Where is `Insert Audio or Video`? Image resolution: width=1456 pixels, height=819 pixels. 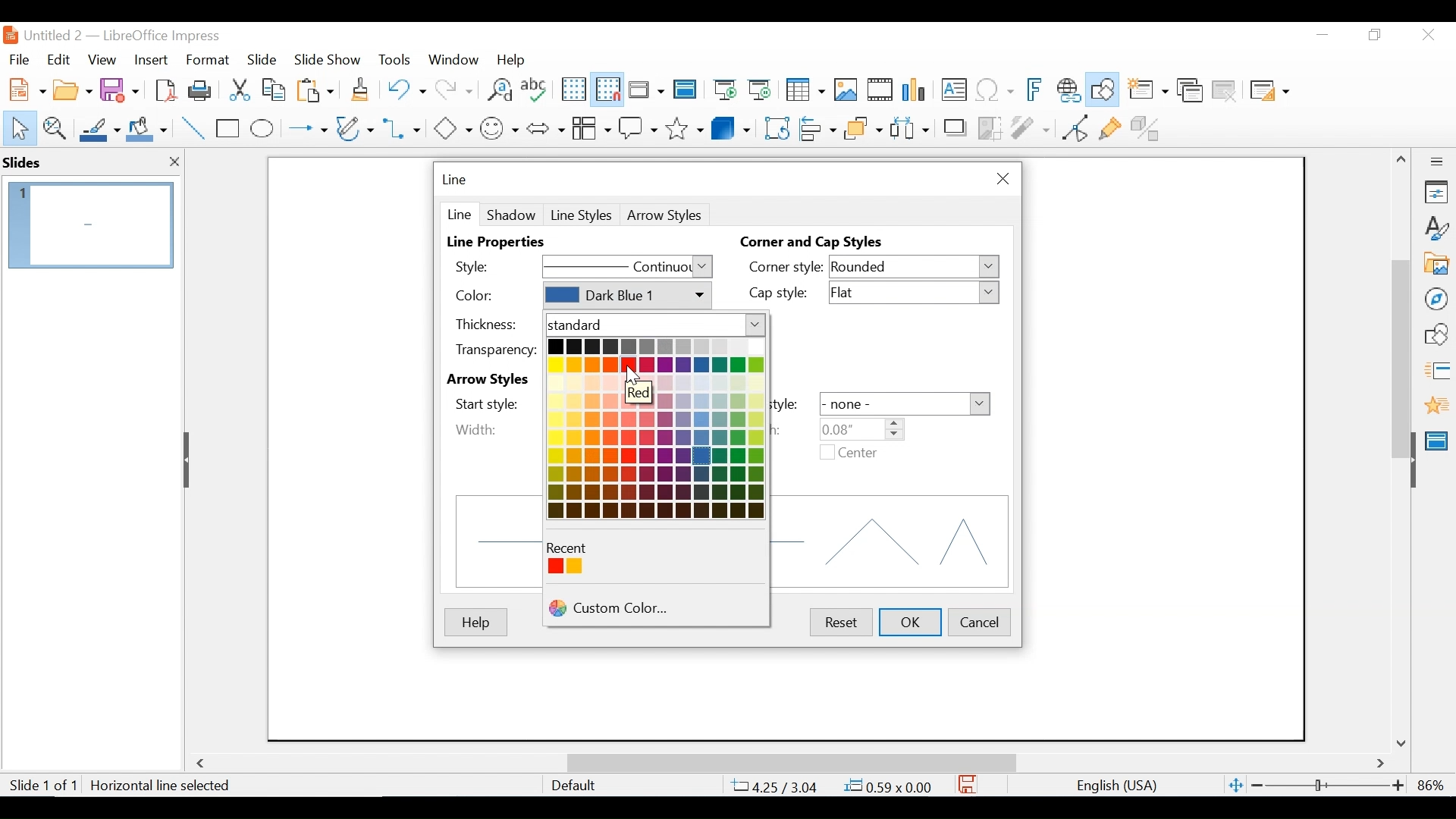 Insert Audio or Video is located at coordinates (880, 91).